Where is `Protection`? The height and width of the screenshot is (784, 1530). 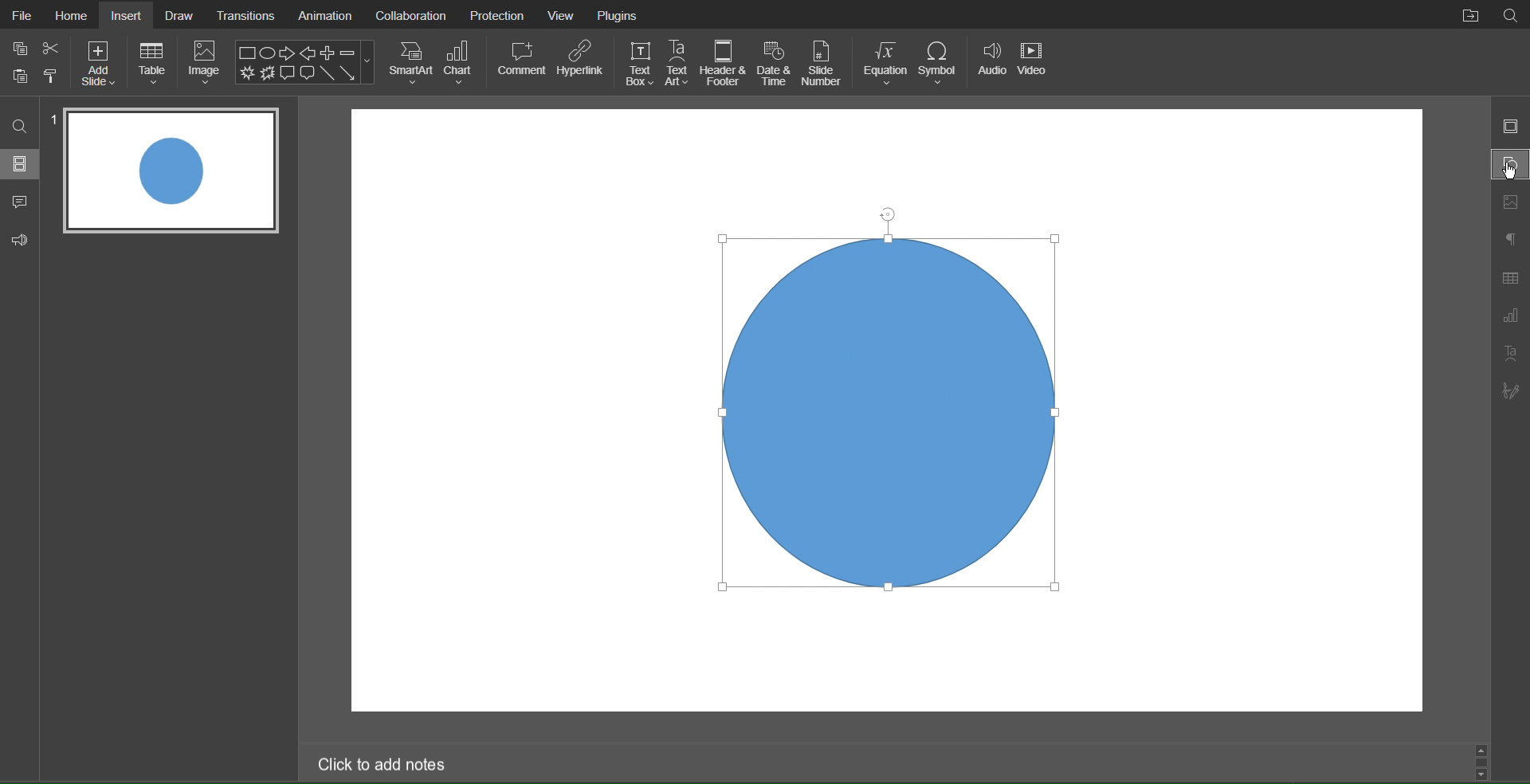
Protection is located at coordinates (498, 14).